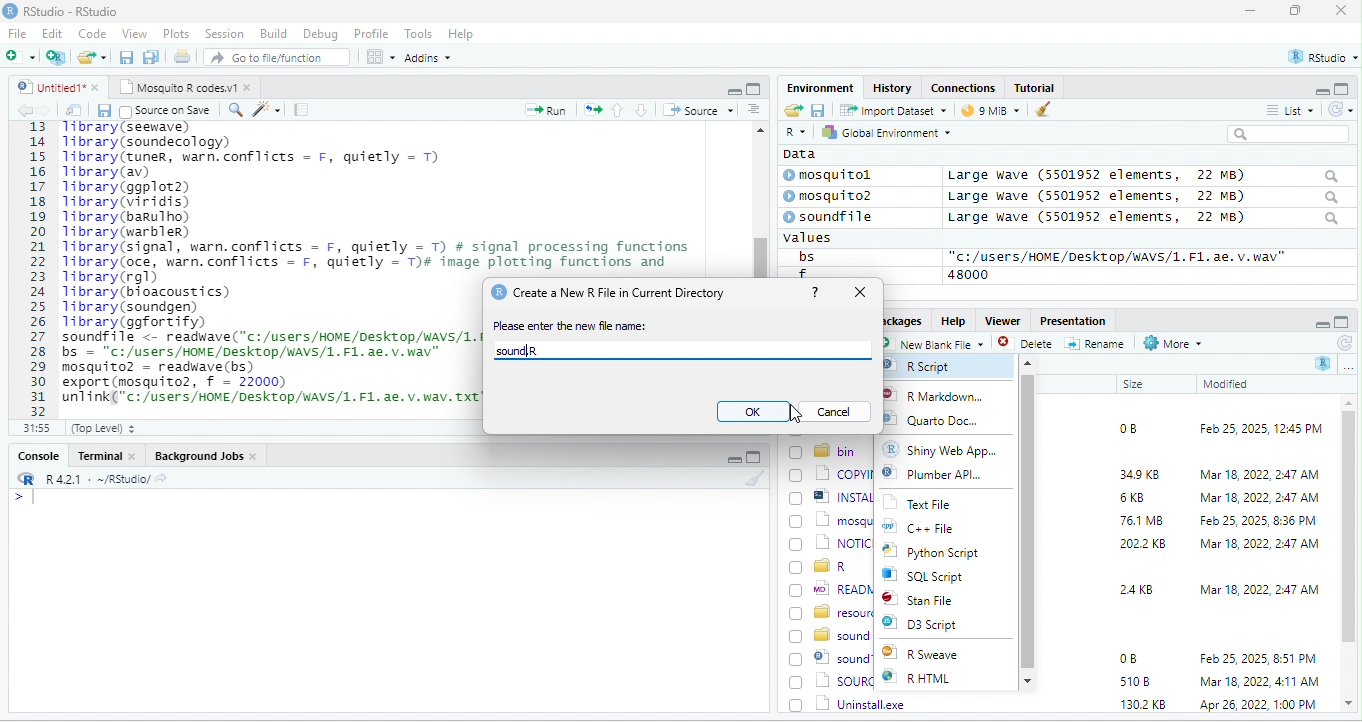 This screenshot has width=1362, height=722. I want to click on R, so click(1324, 363).